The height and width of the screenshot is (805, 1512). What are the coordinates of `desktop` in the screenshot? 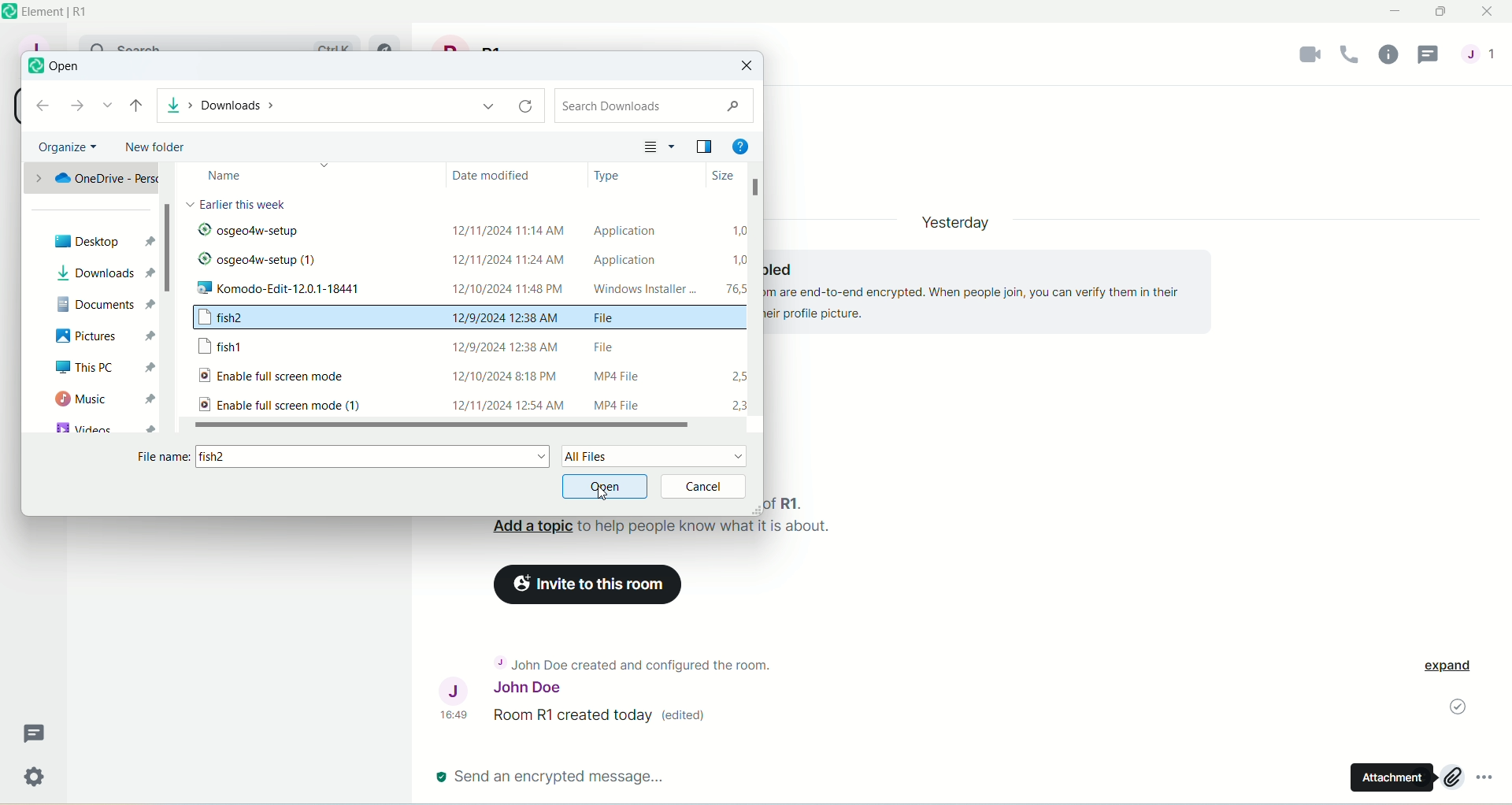 It's located at (102, 243).